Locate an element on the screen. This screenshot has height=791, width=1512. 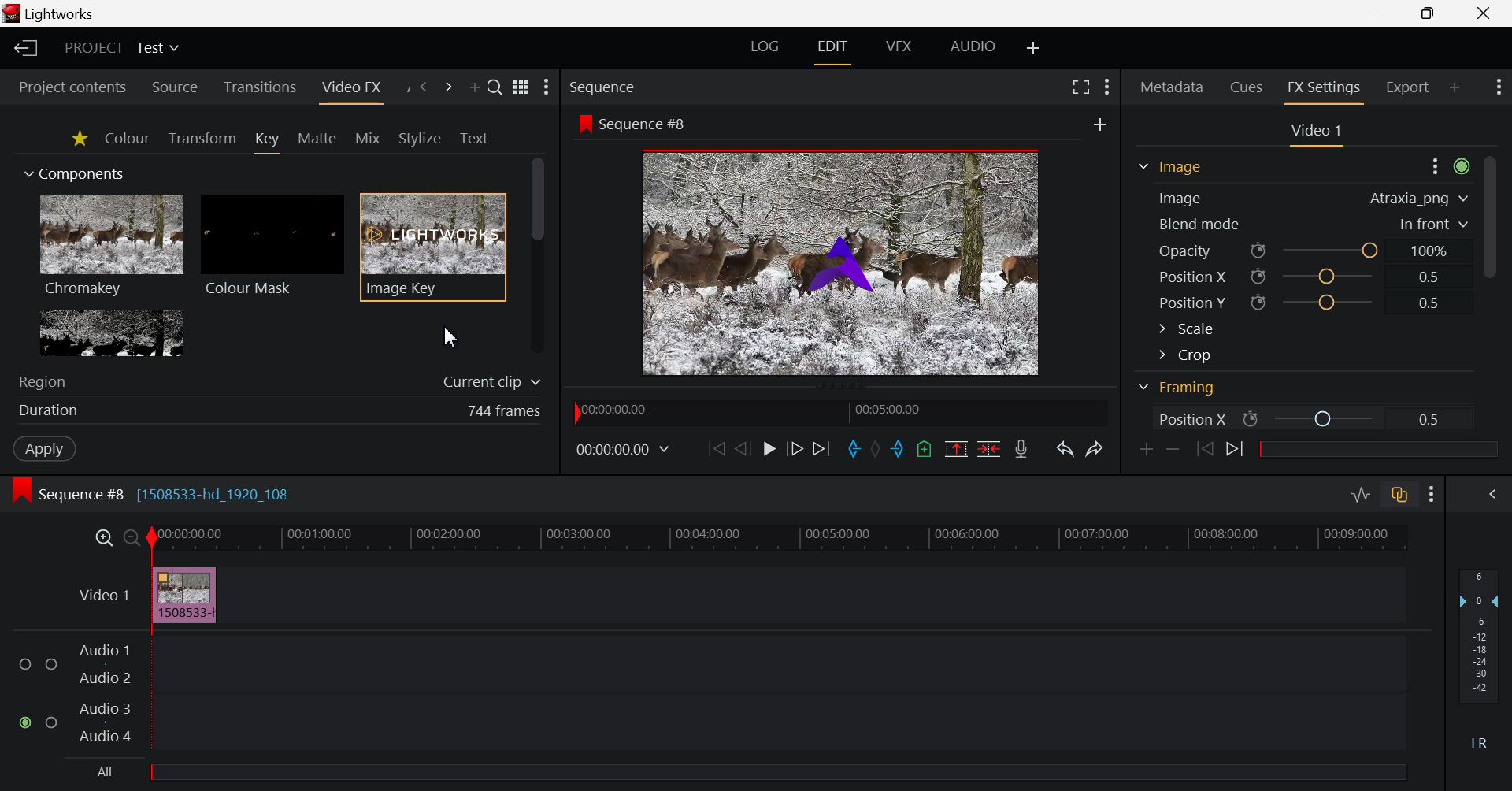
Inserted Video Clip is located at coordinates (186, 596).